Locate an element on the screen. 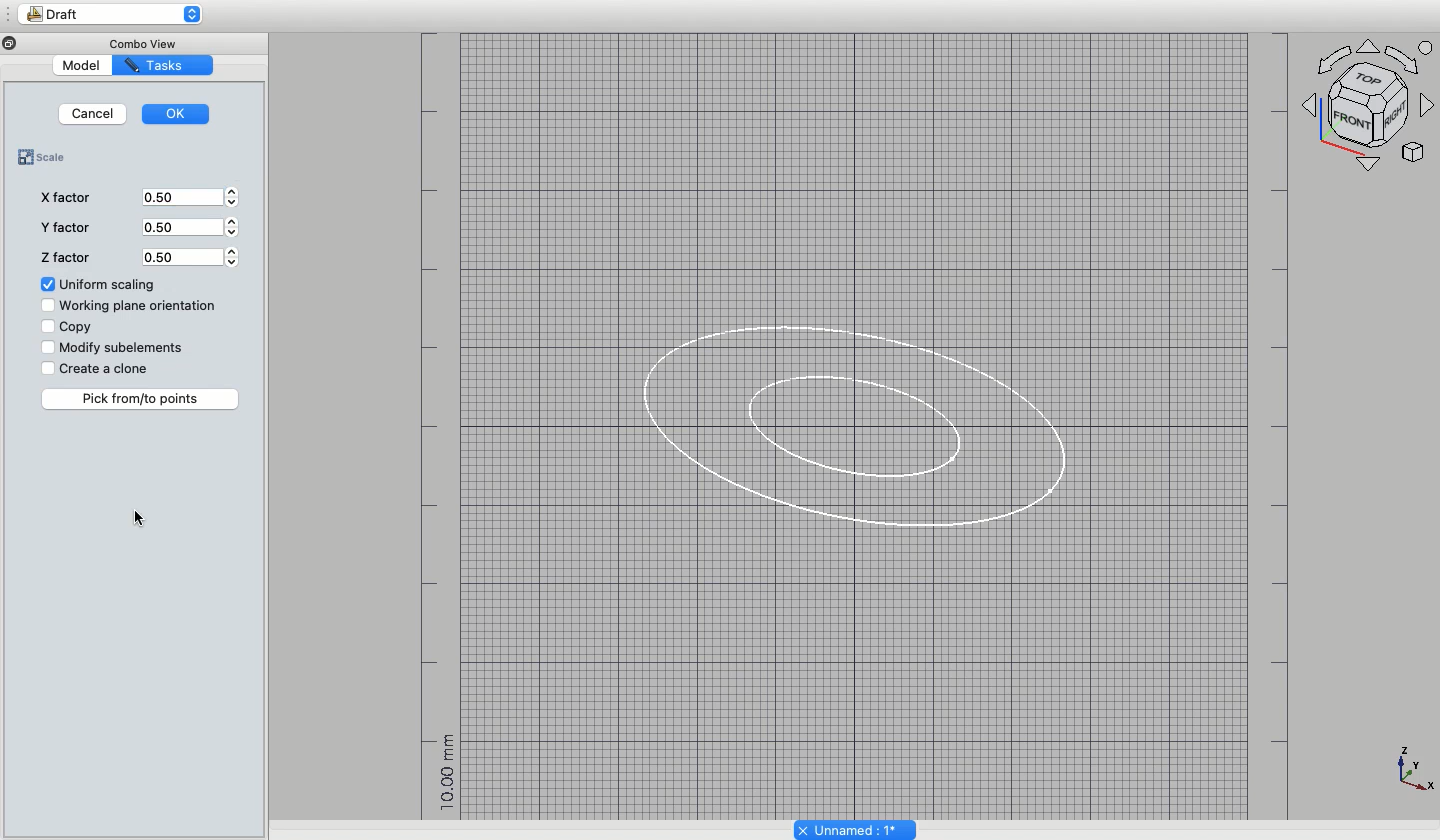 The width and height of the screenshot is (1440, 840). Tasks is located at coordinates (164, 65).